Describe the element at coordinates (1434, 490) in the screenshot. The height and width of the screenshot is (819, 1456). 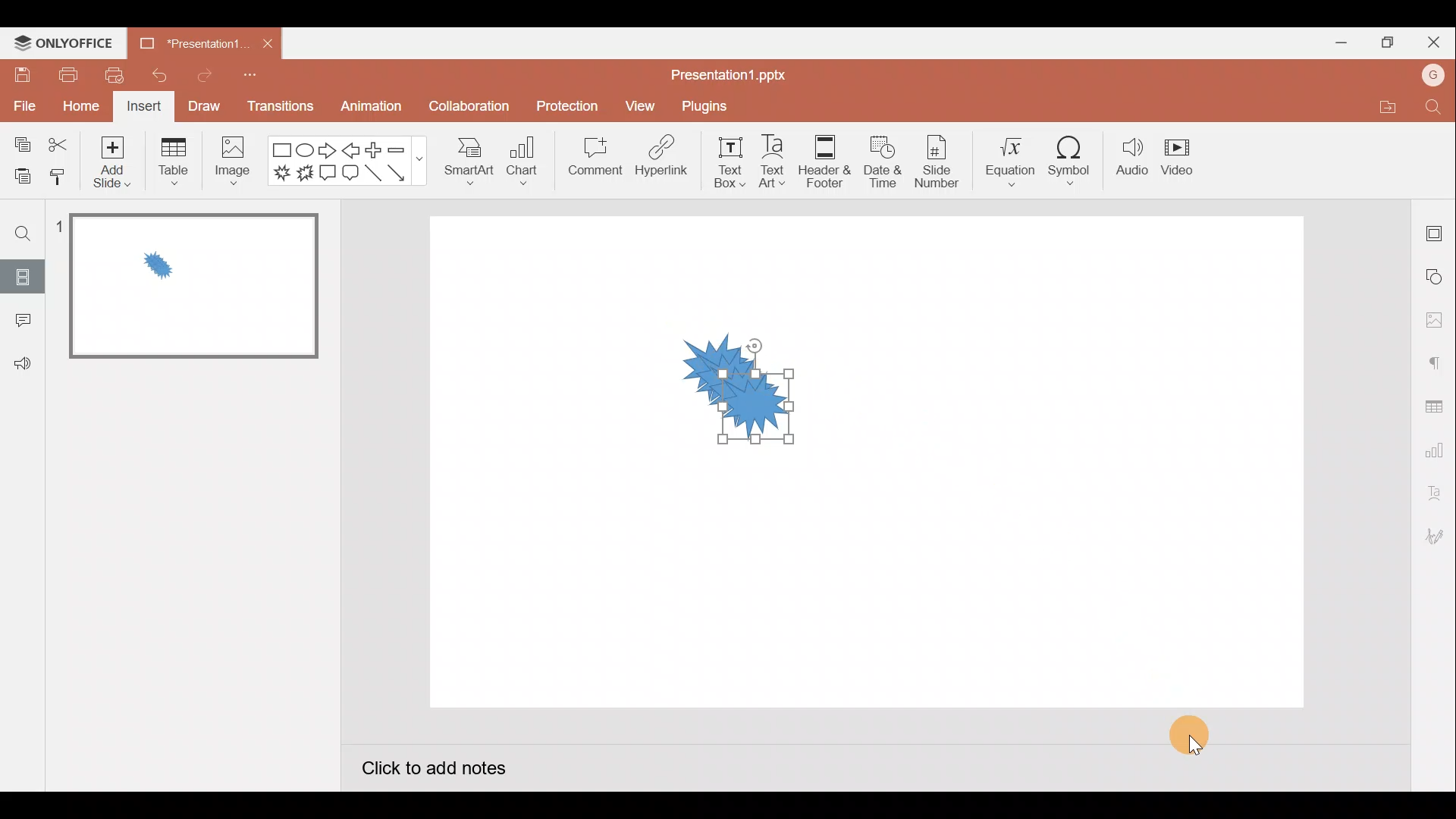
I see `Text Art settings` at that location.